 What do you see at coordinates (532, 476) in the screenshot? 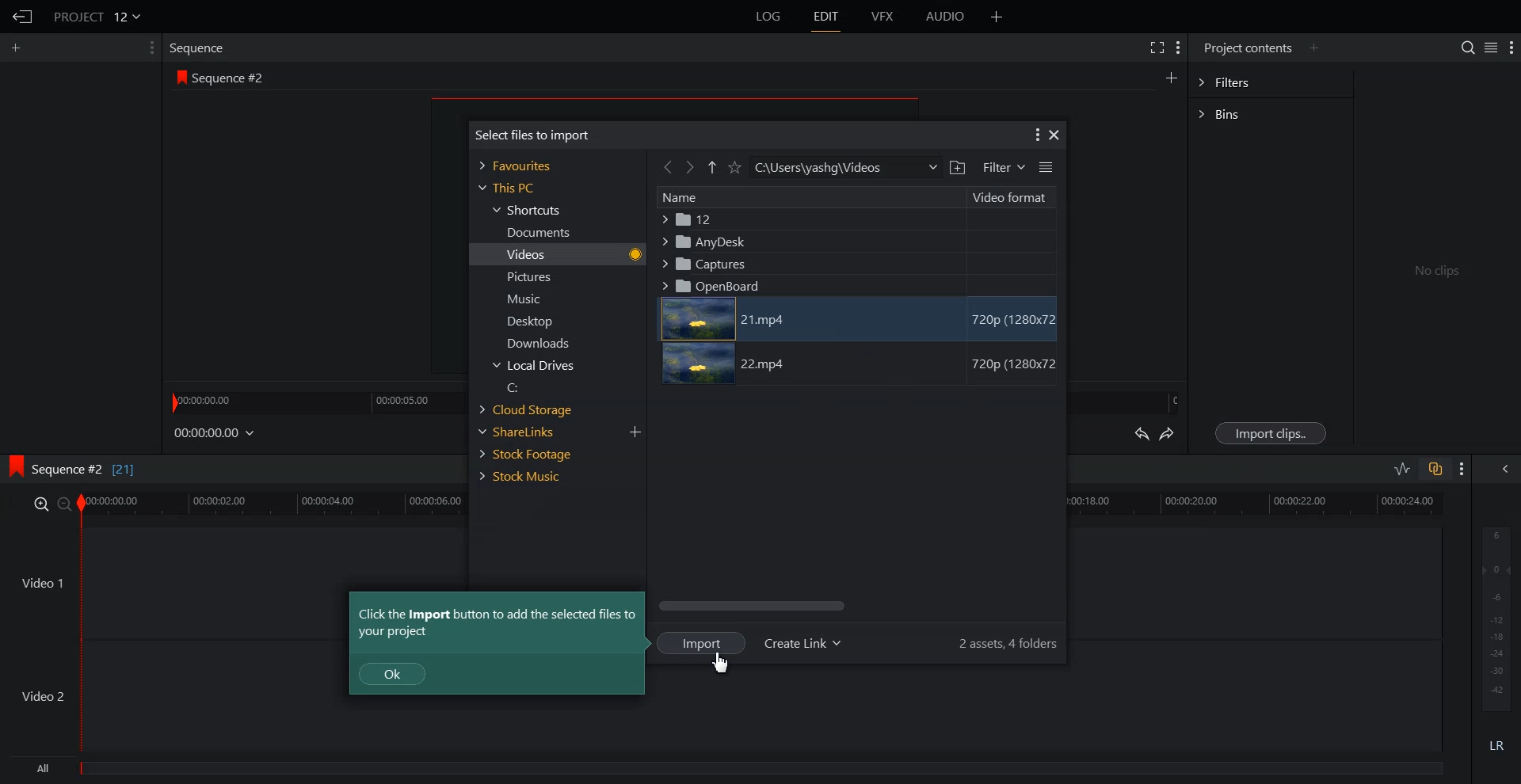
I see `Stock Music` at bounding box center [532, 476].